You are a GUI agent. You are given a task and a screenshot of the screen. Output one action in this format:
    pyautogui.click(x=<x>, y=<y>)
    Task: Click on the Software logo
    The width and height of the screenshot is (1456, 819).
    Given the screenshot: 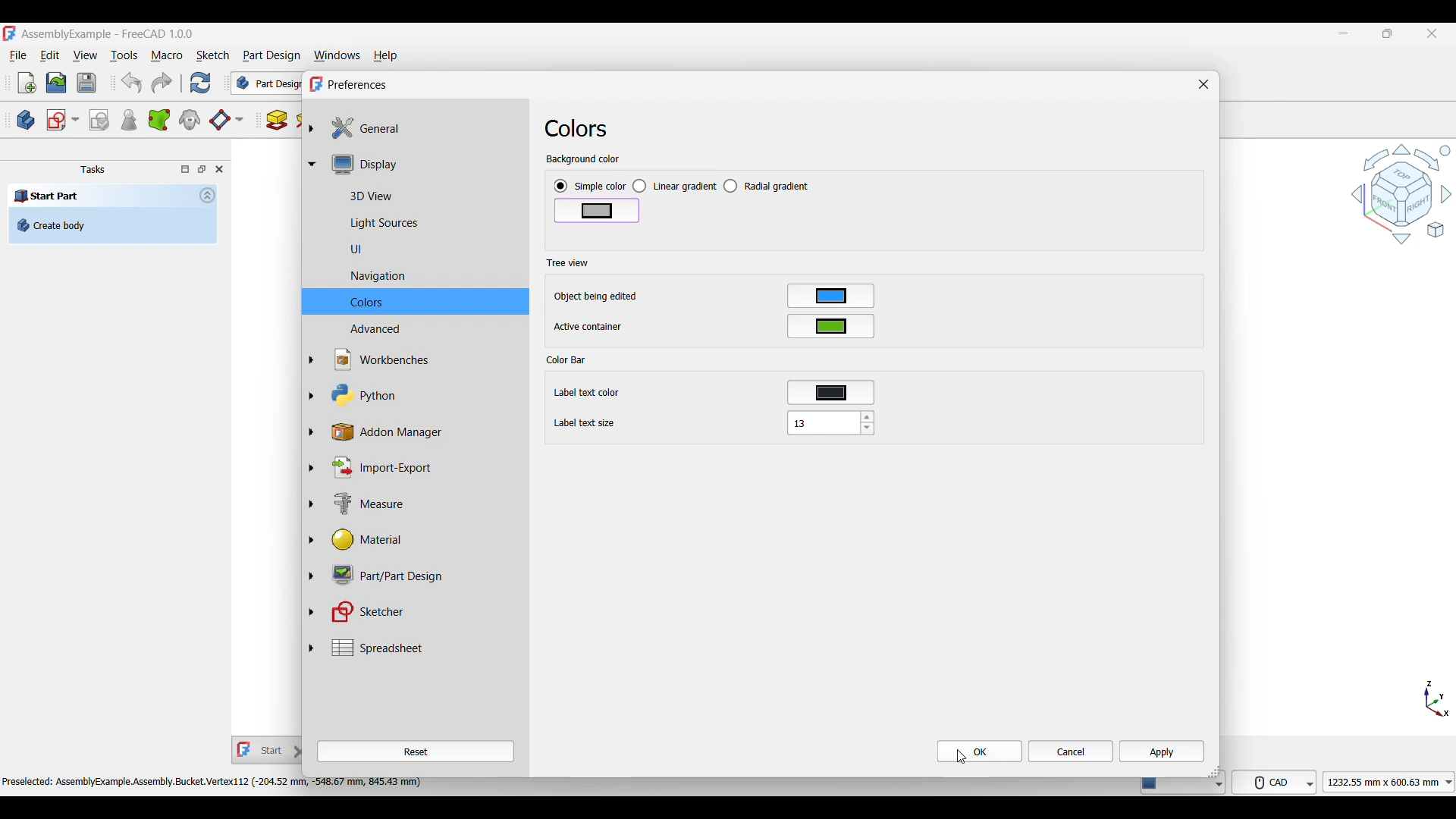 What is the action you would take?
    pyautogui.click(x=9, y=33)
    